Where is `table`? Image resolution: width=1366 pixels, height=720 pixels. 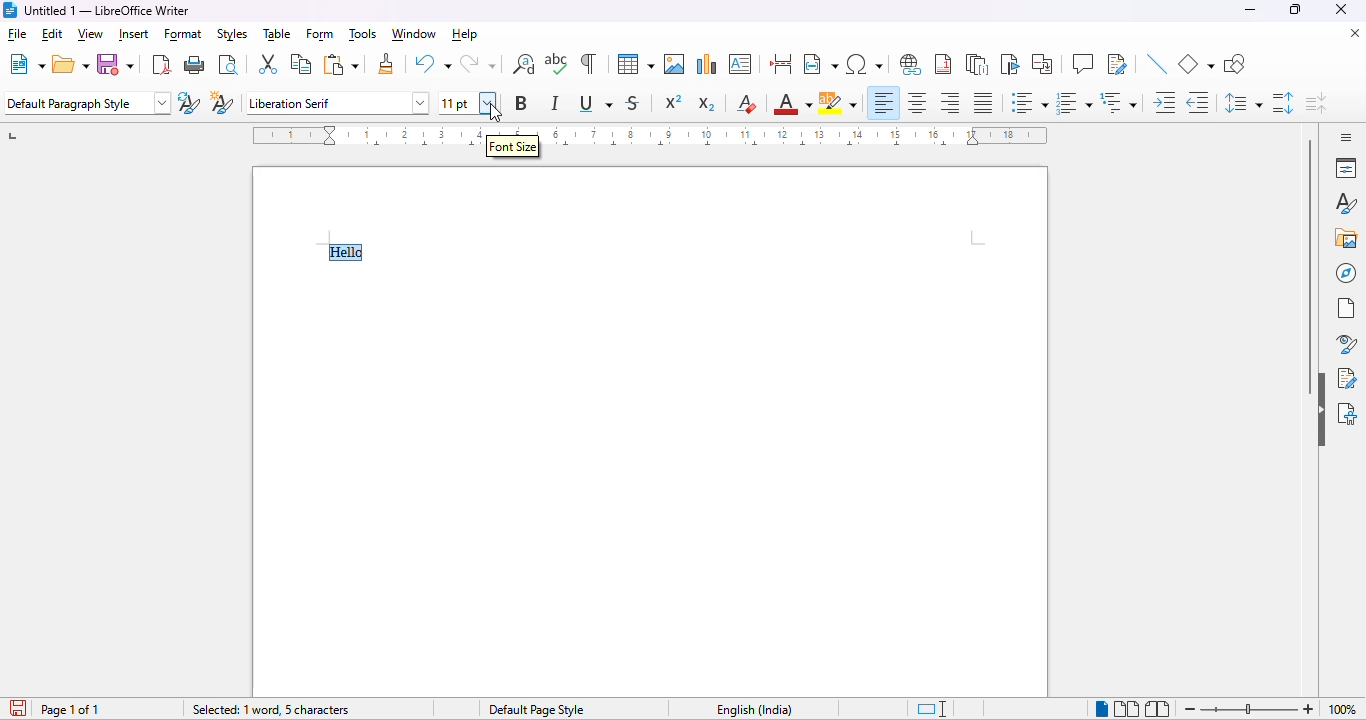 table is located at coordinates (277, 35).